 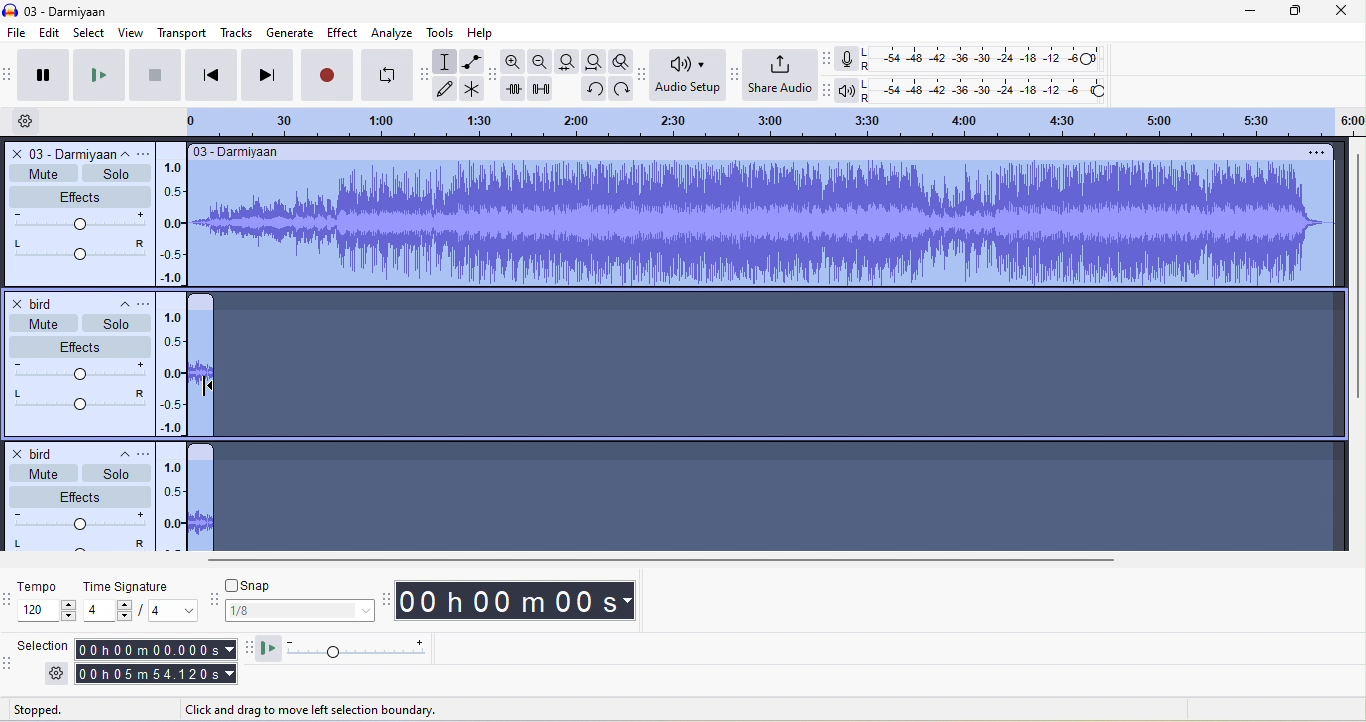 What do you see at coordinates (59, 153) in the screenshot?
I see `o3 darmiyaan` at bounding box center [59, 153].